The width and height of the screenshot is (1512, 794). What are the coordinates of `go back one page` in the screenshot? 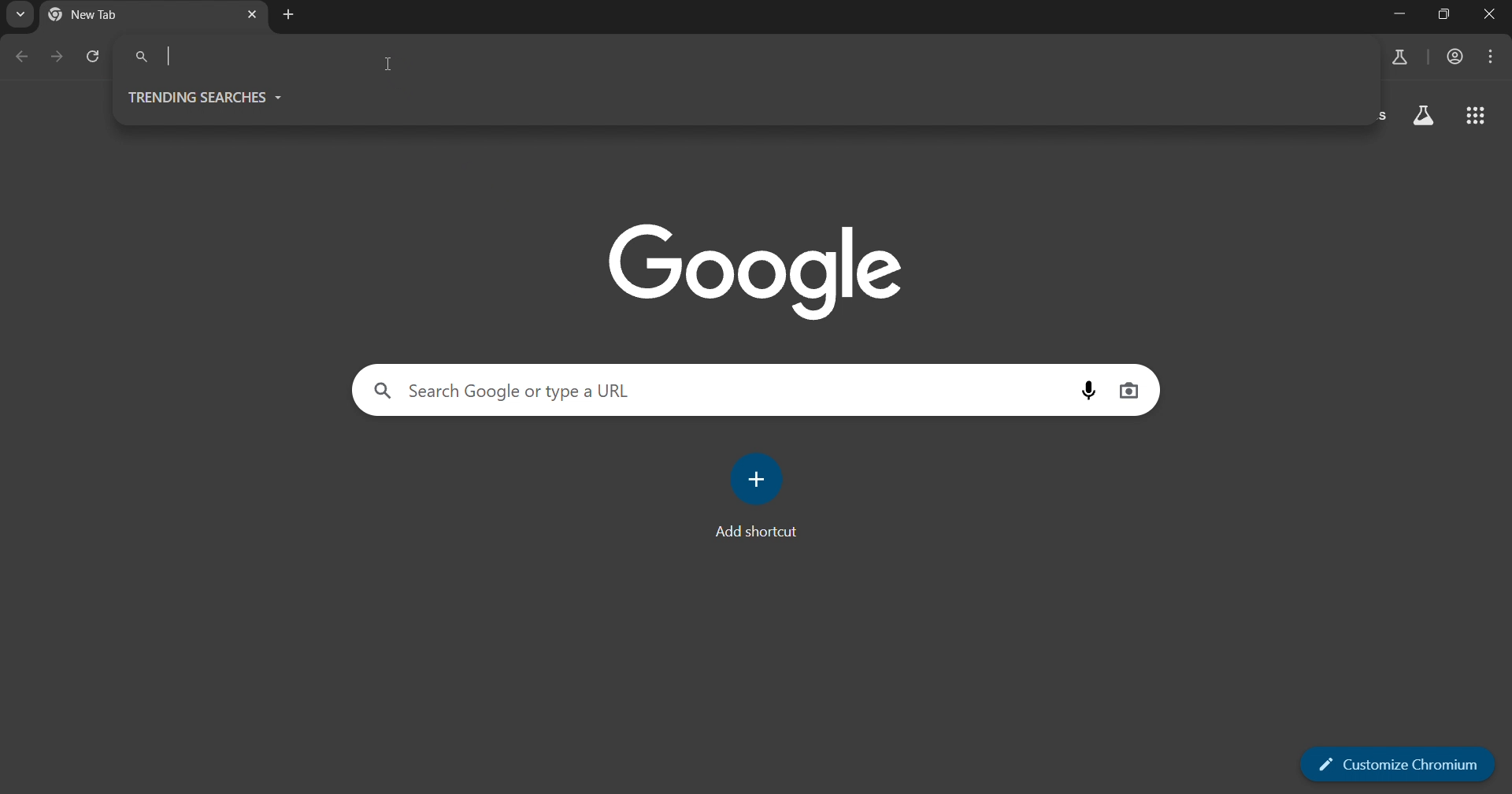 It's located at (24, 58).